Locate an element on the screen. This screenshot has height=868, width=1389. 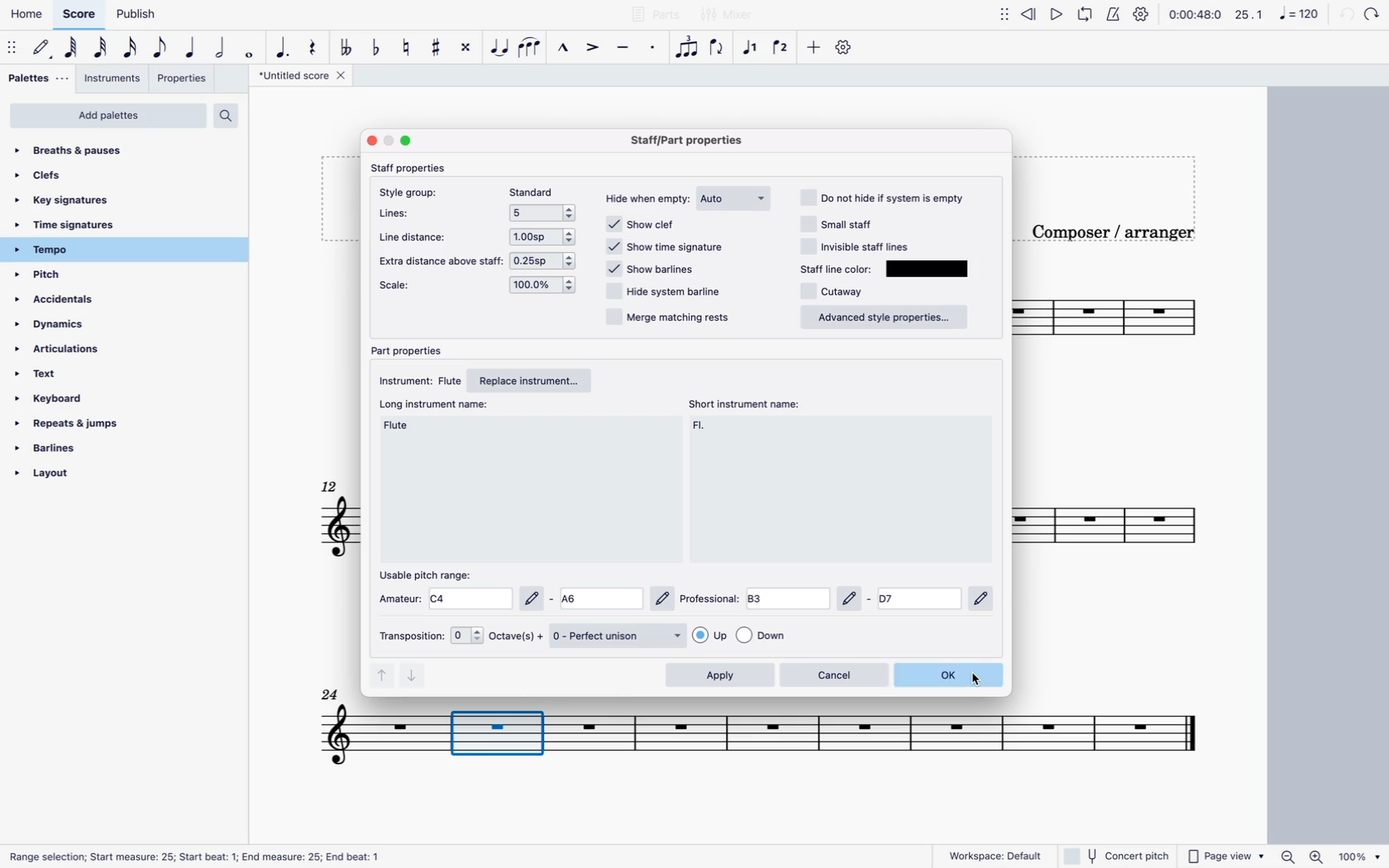
hide system barline is located at coordinates (666, 290).